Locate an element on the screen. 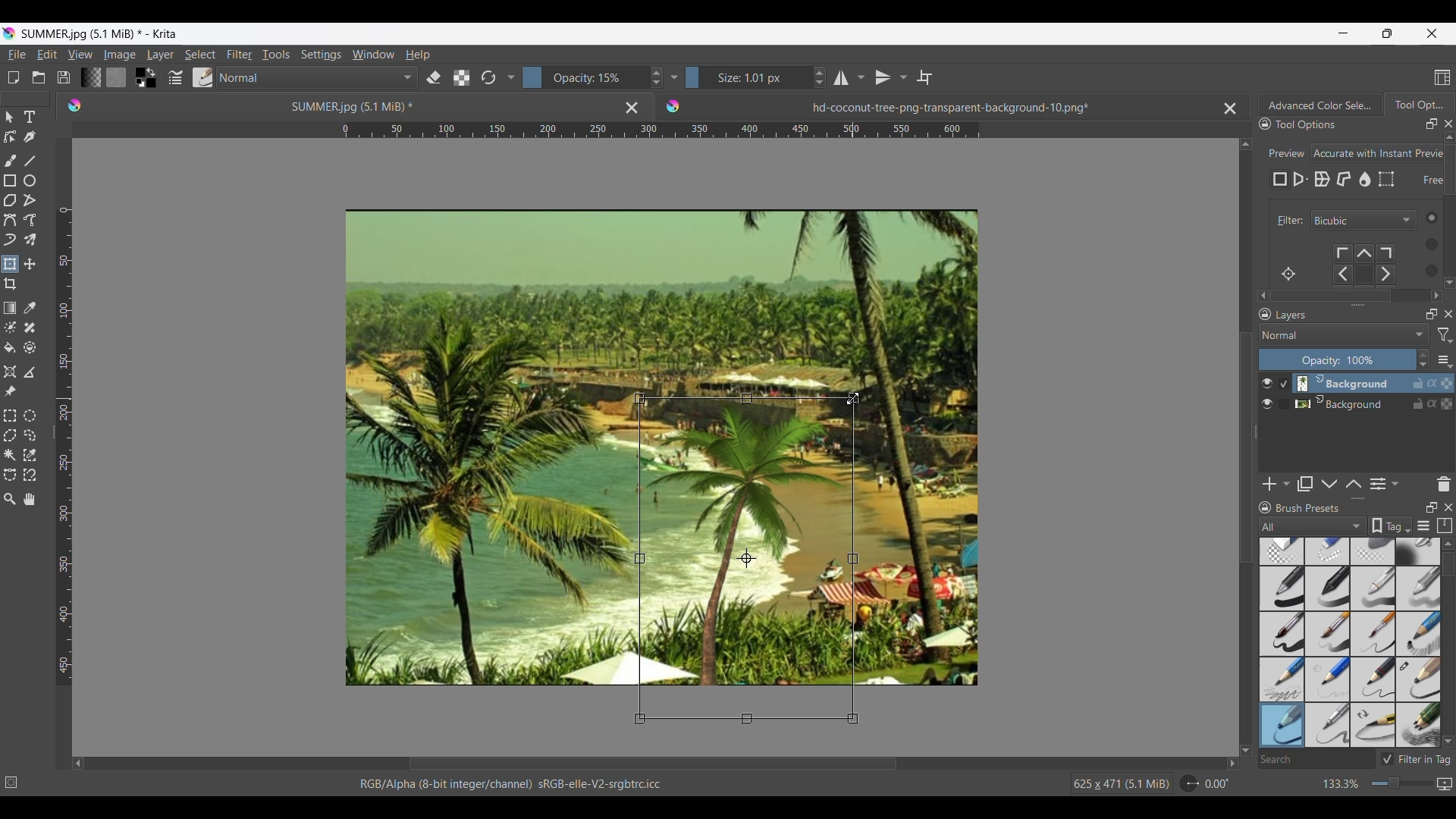 The width and height of the screenshot is (1456, 819). Calligraphy is located at coordinates (29, 136).